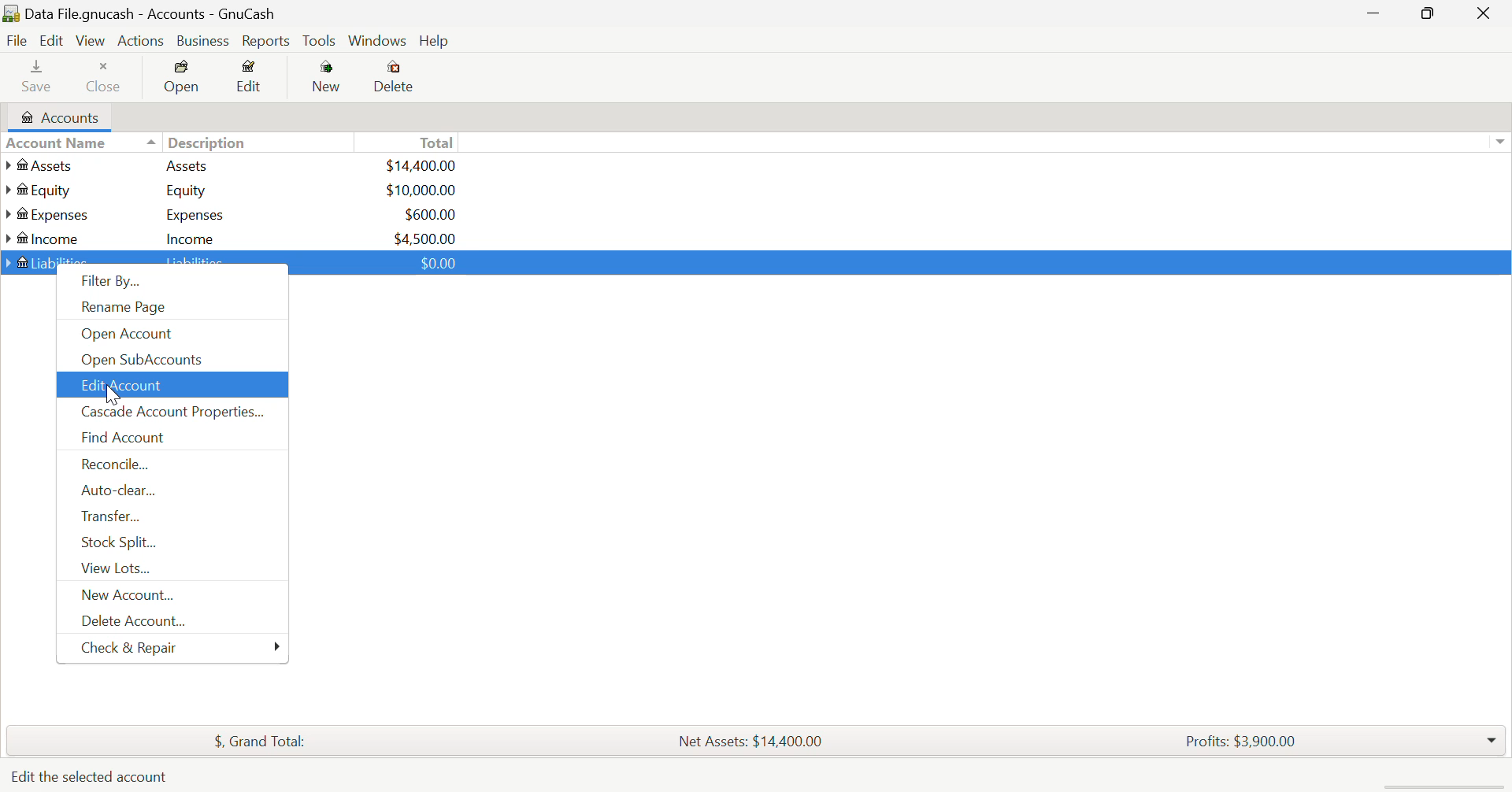 The image size is (1512, 792). Describe the element at coordinates (430, 214) in the screenshot. I see `USD` at that location.